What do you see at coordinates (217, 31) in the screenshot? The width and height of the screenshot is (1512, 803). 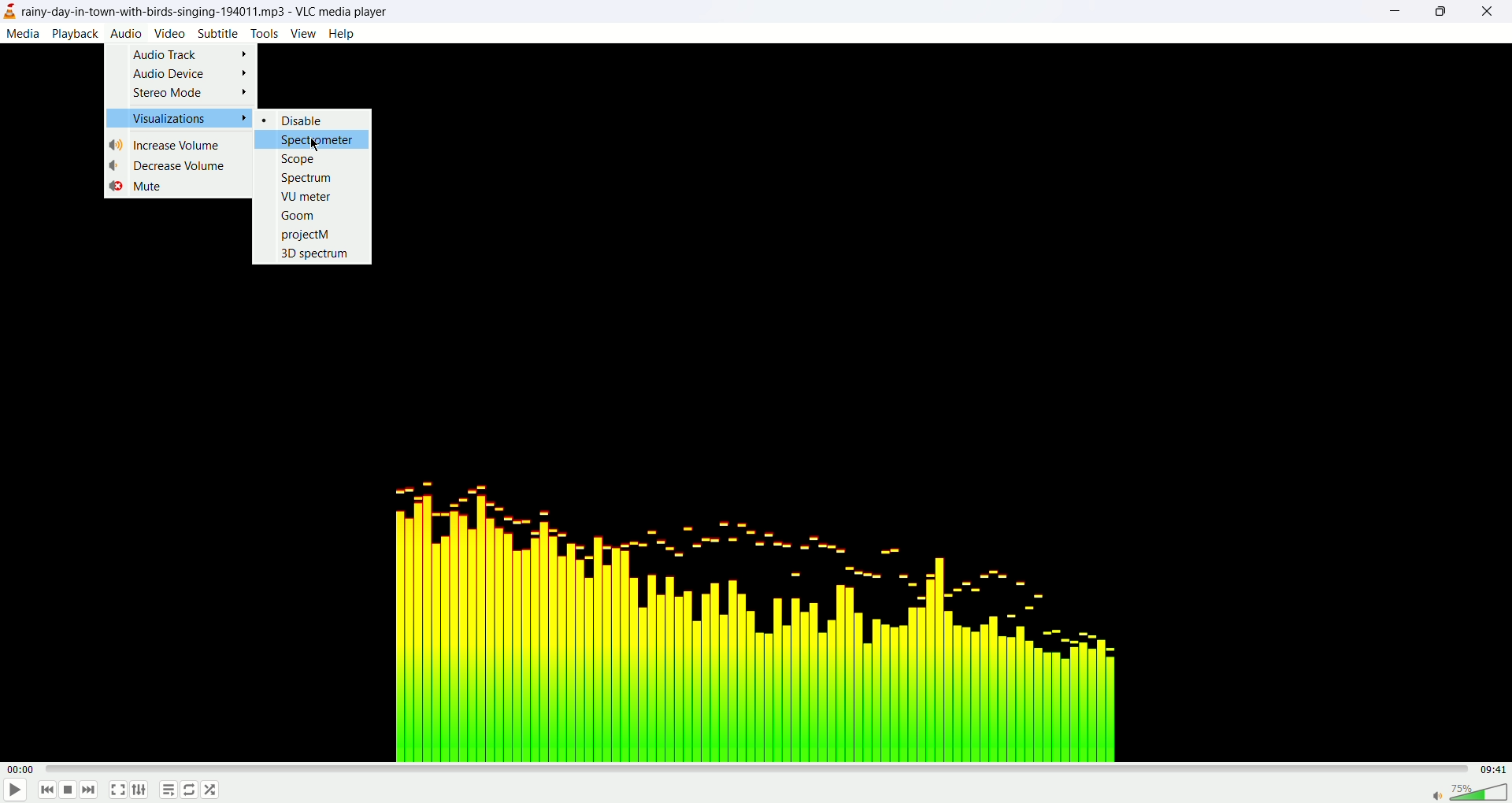 I see `subtitle` at bounding box center [217, 31].